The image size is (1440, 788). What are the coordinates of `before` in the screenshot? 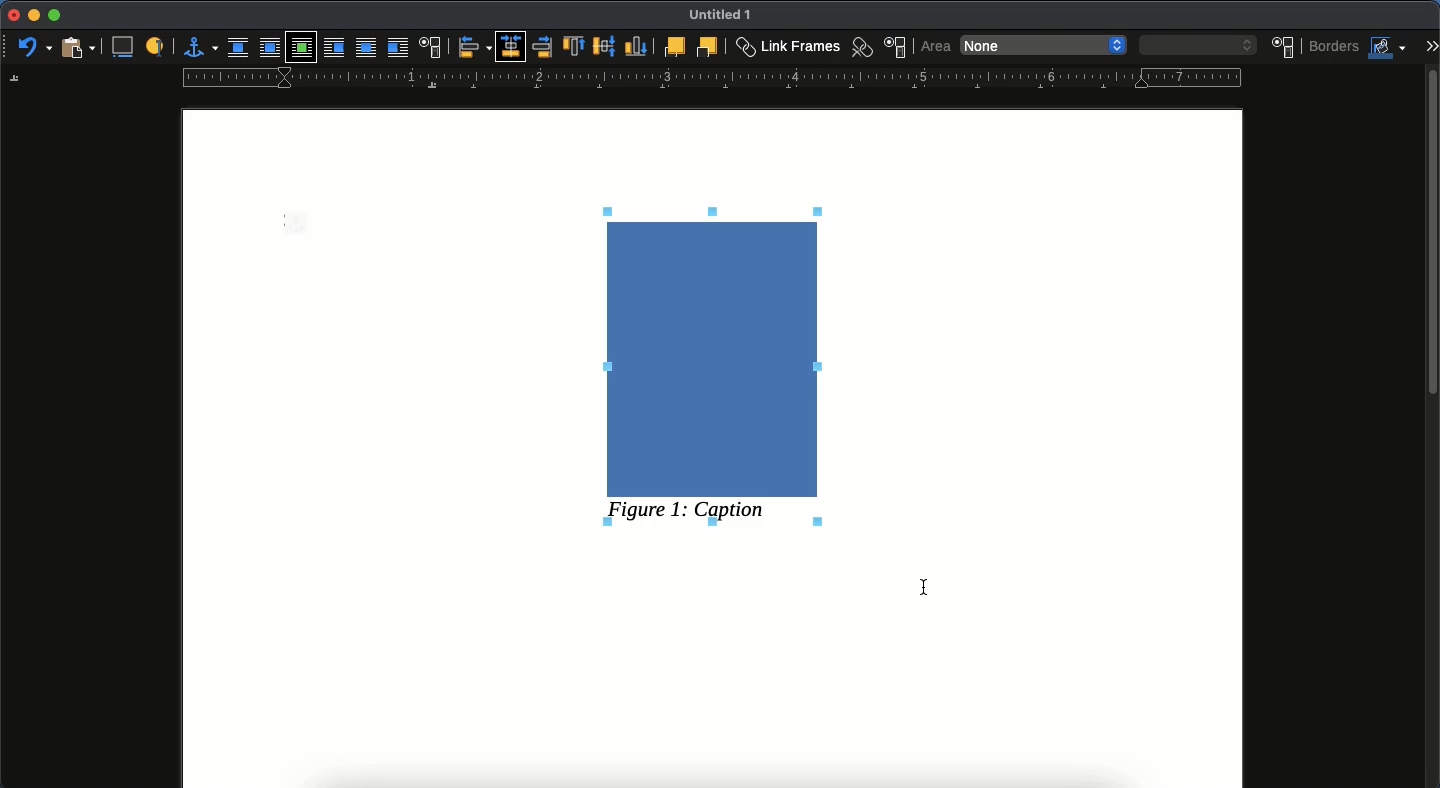 It's located at (337, 48).